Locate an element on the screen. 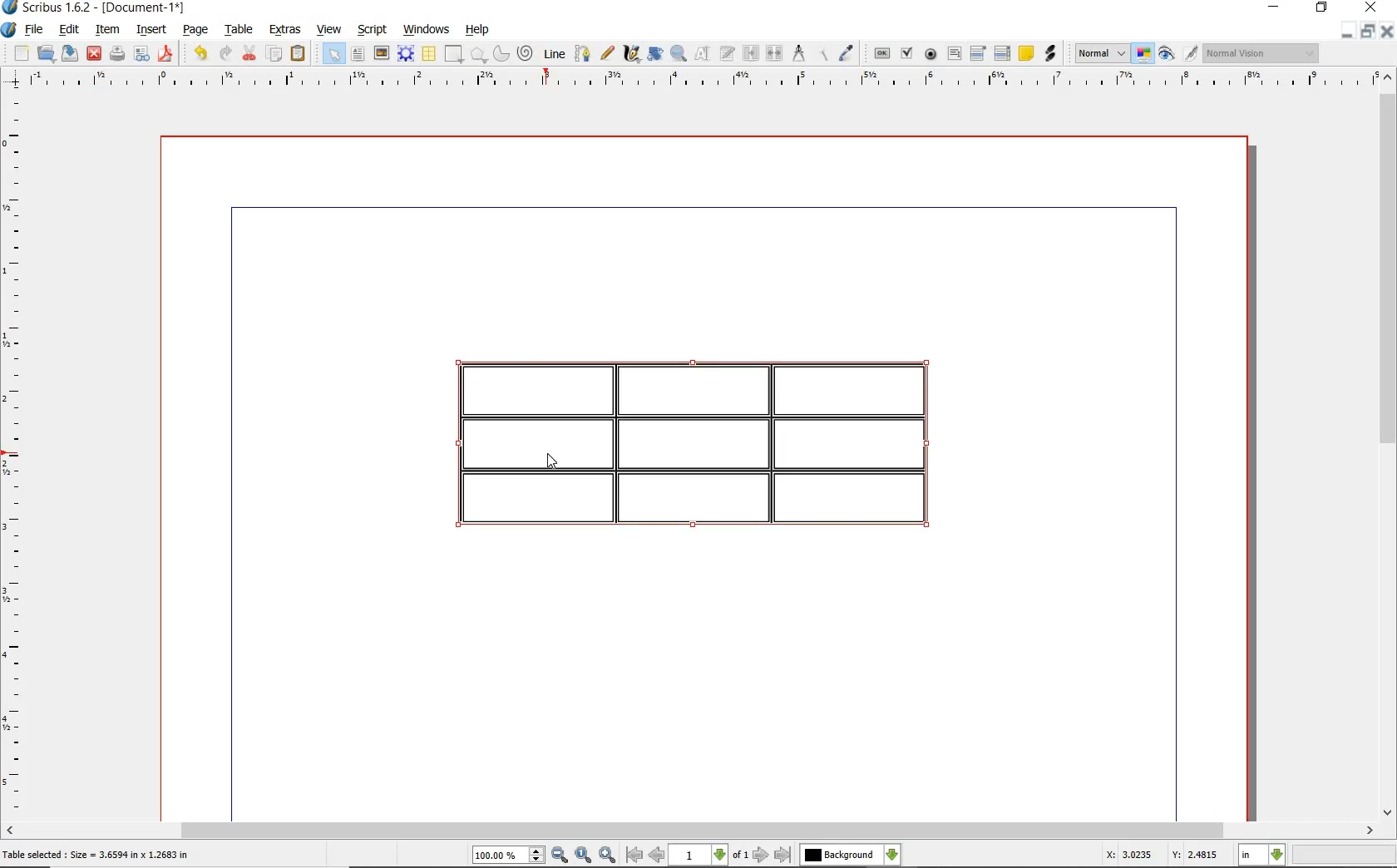  zoom out is located at coordinates (560, 856).